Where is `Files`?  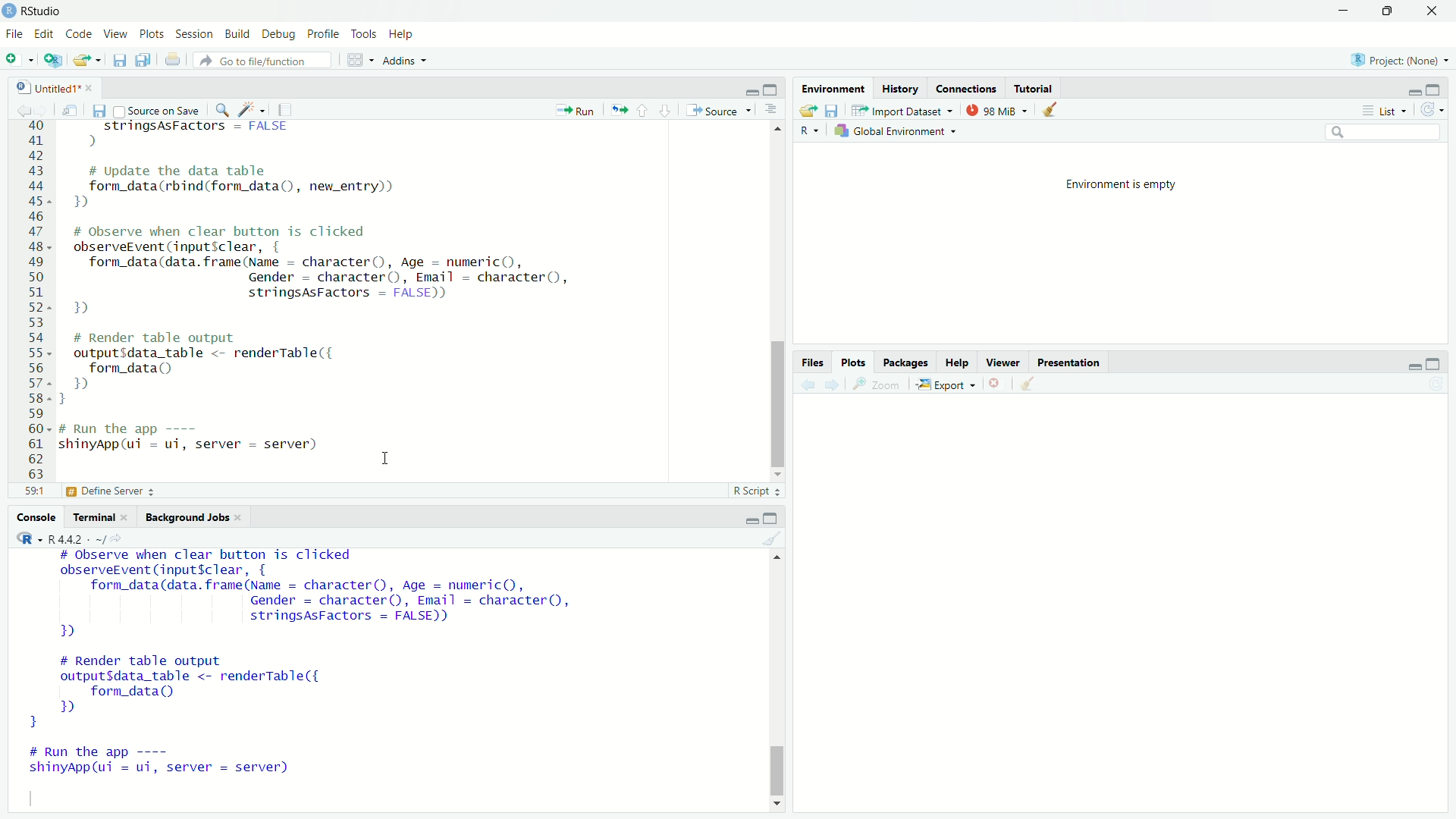 Files is located at coordinates (810, 362).